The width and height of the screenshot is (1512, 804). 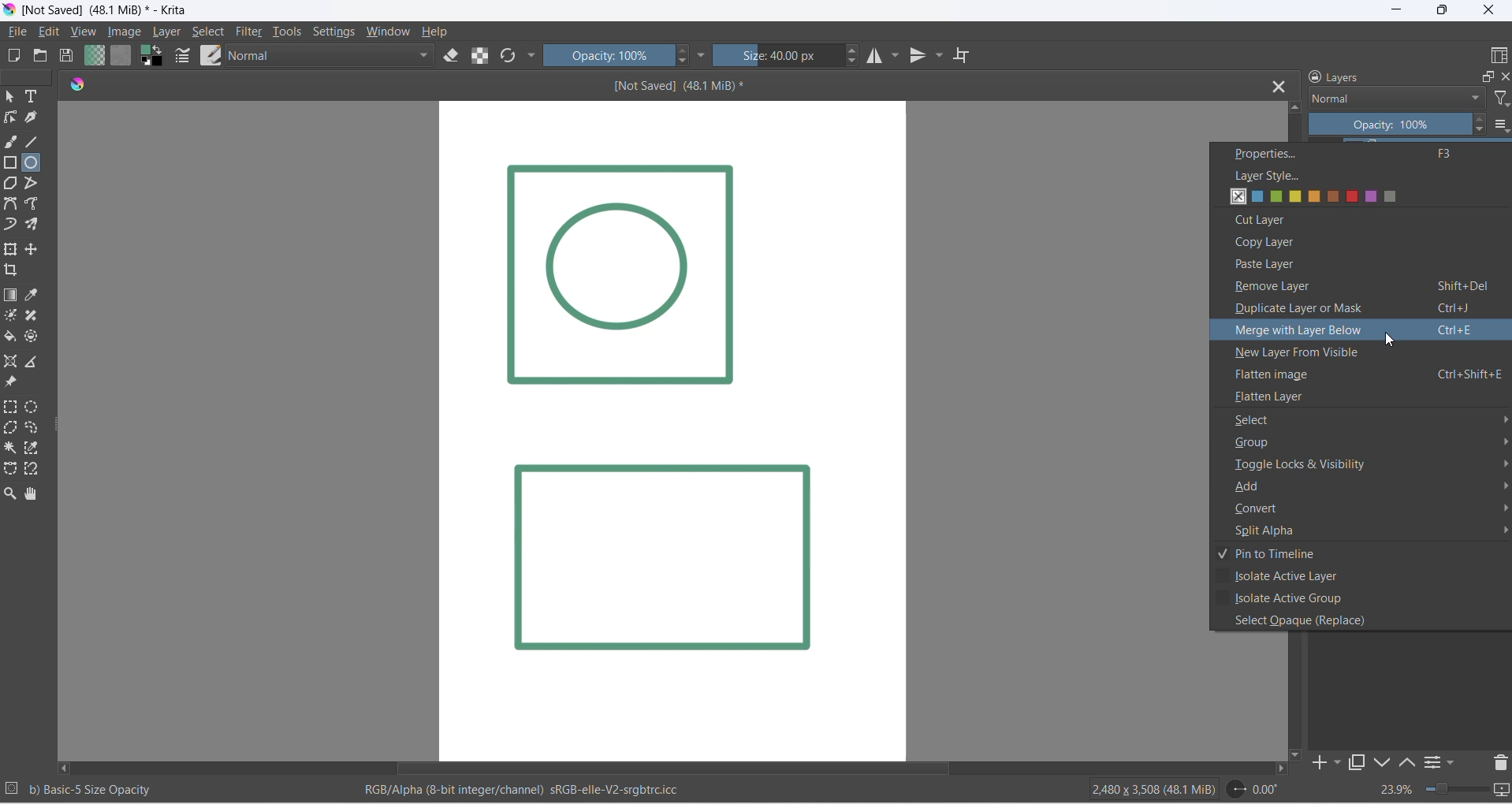 What do you see at coordinates (1503, 99) in the screenshot?
I see `filter` at bounding box center [1503, 99].